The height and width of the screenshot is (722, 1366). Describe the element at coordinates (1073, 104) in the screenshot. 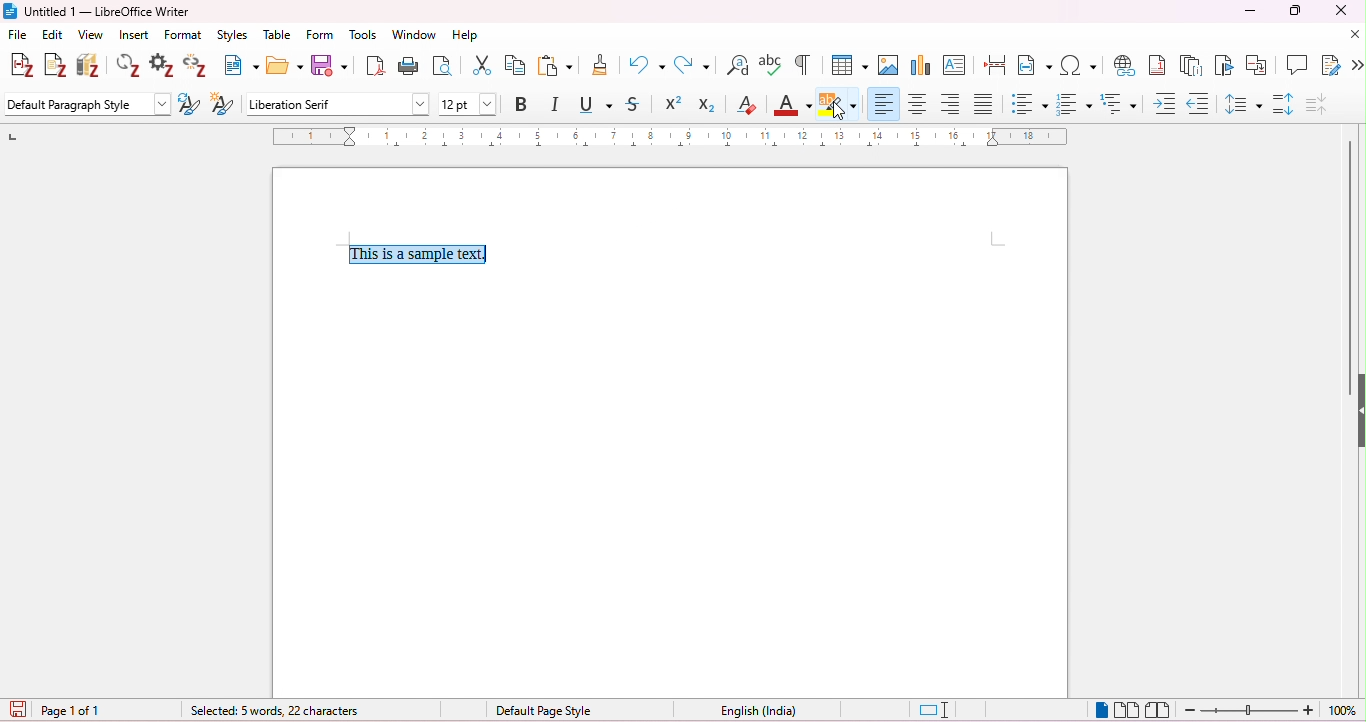

I see `numbered` at that location.